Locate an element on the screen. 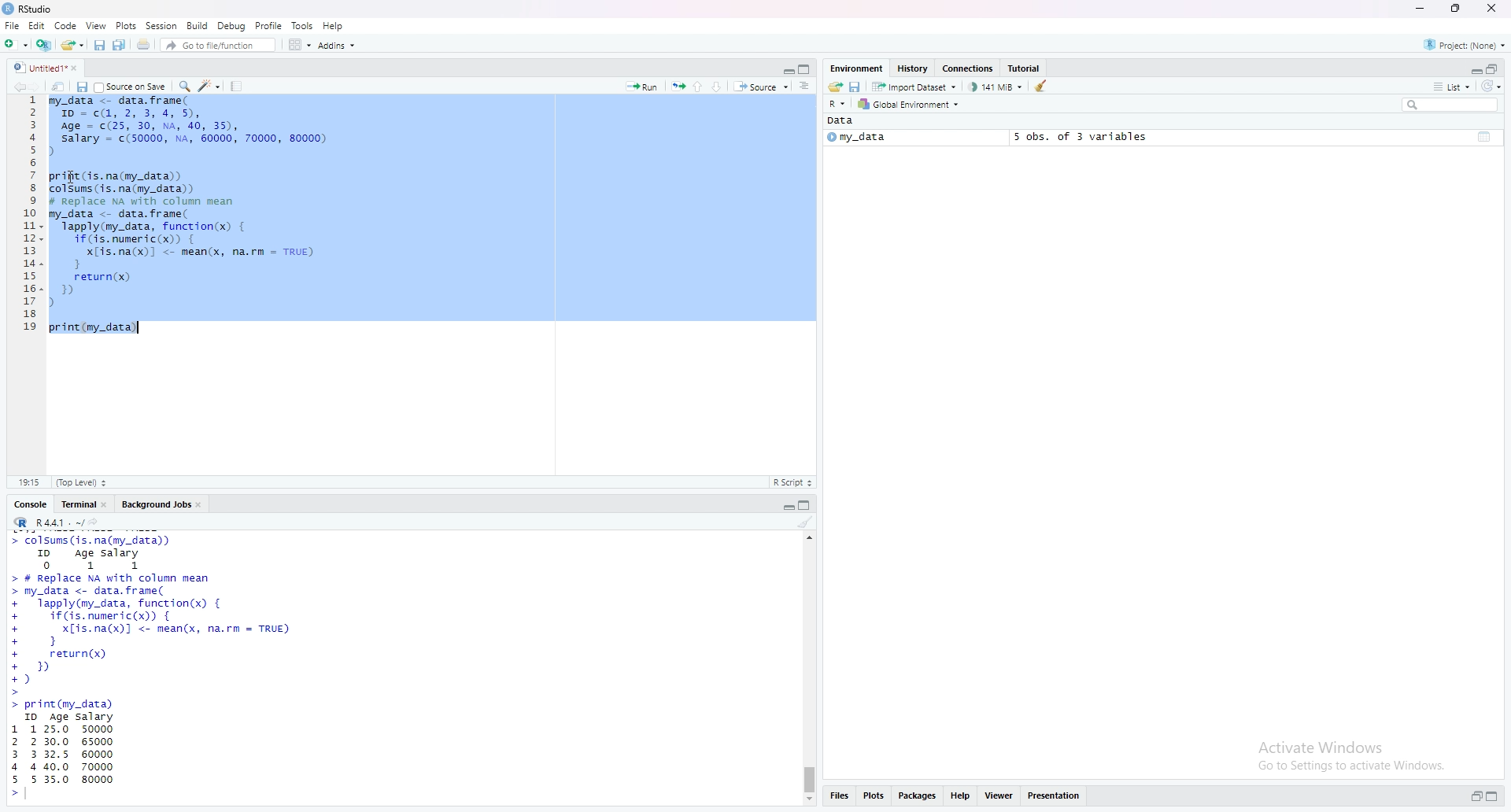 The image size is (1511, 812). 7:1 is located at coordinates (29, 481).